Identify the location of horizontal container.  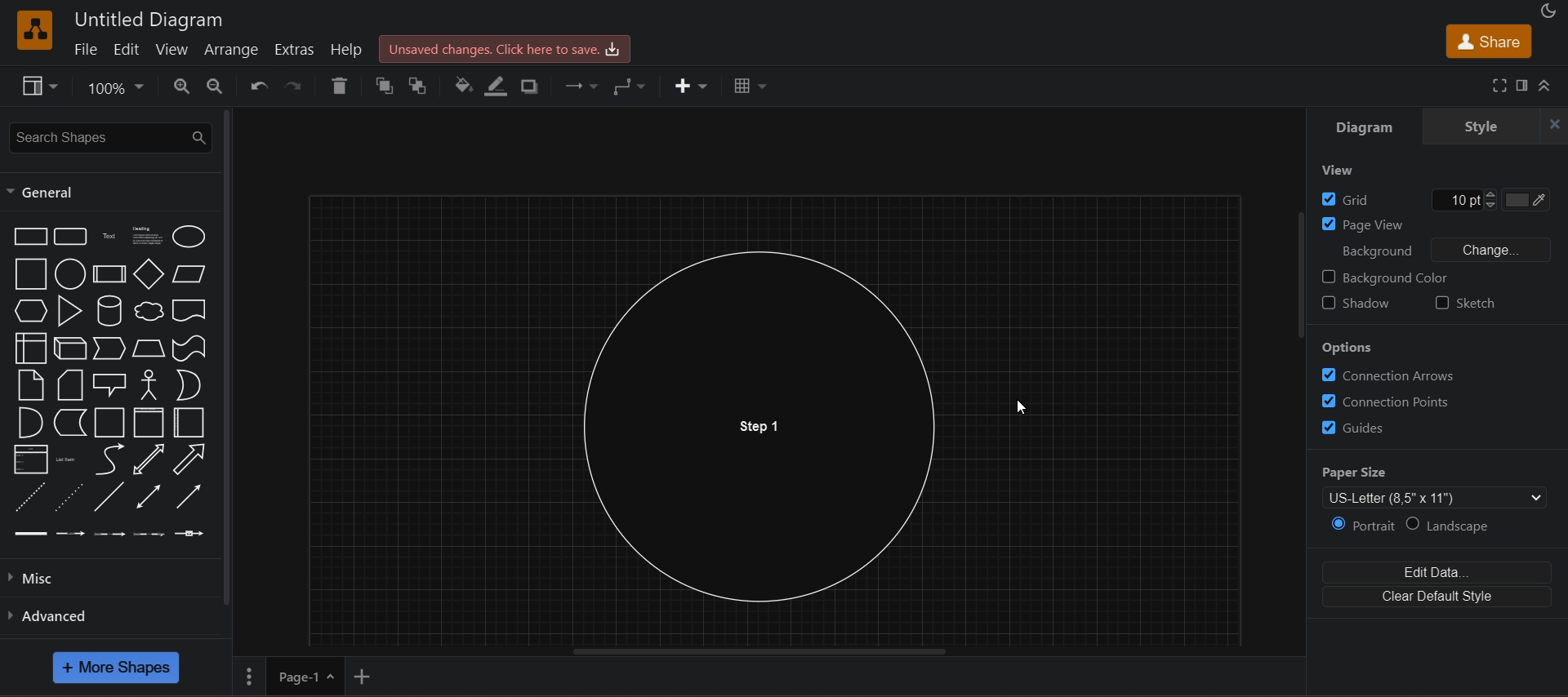
(191, 423).